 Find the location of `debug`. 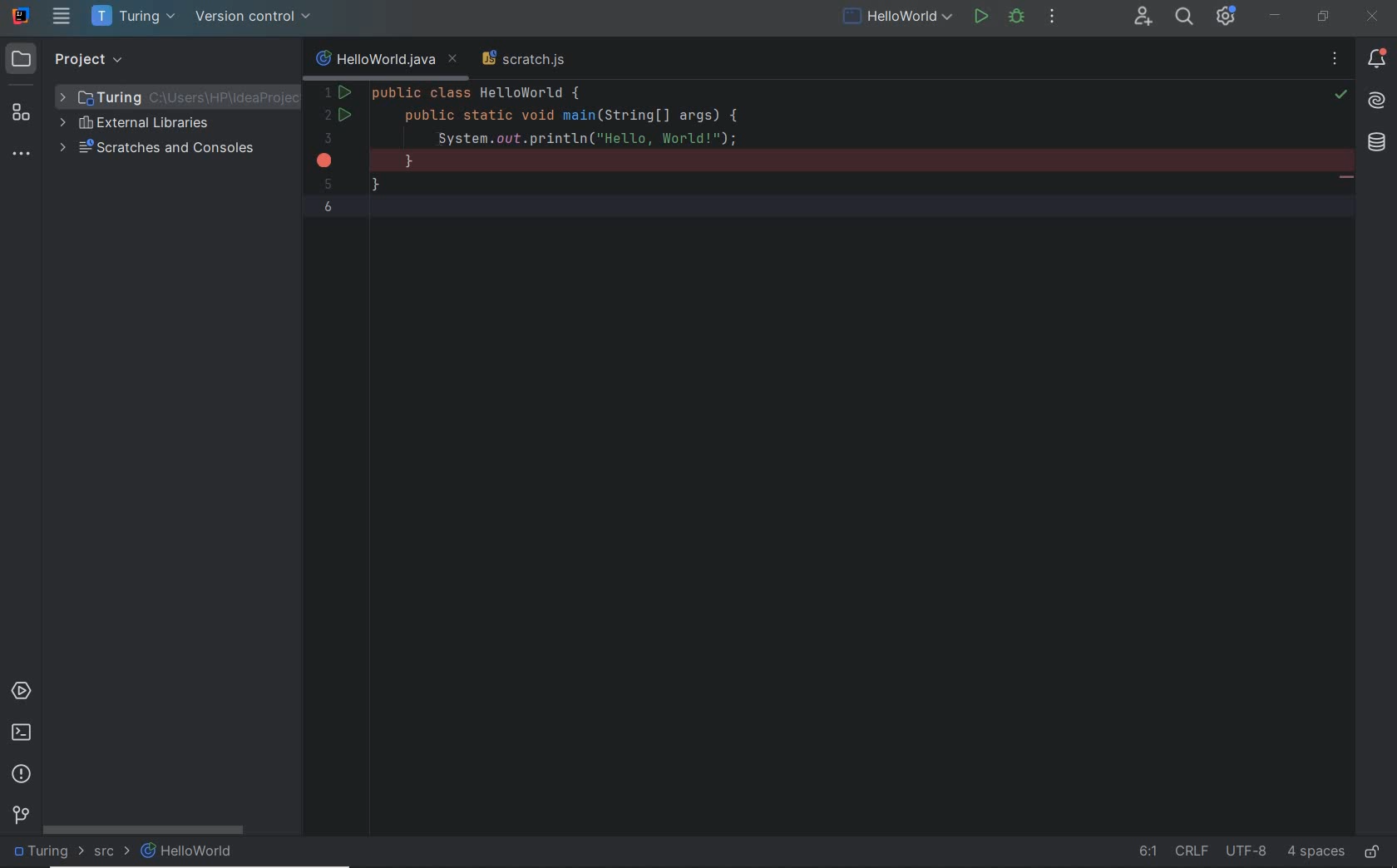

debug is located at coordinates (1016, 18).